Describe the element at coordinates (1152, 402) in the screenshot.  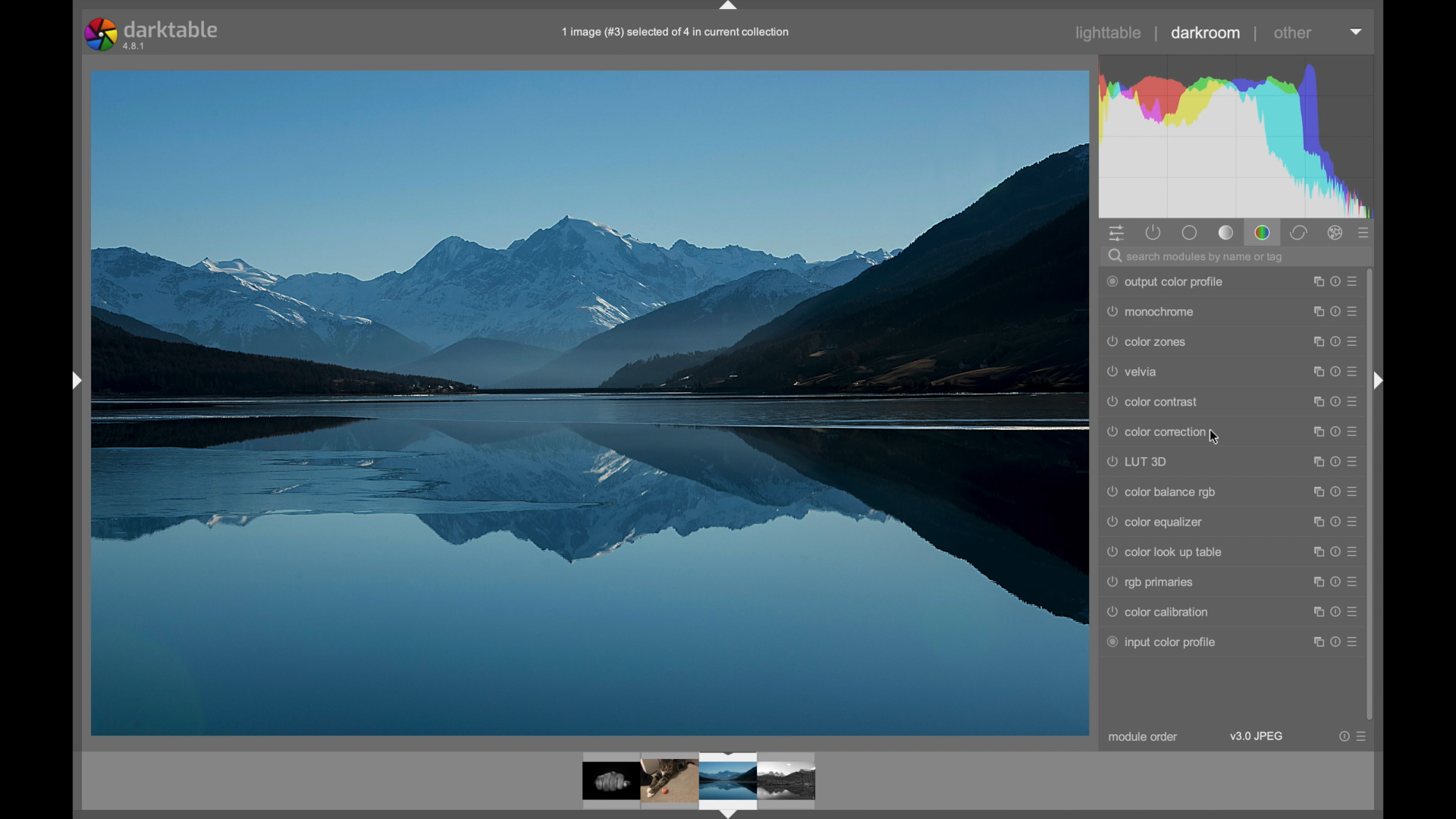
I see `color contrast` at that location.